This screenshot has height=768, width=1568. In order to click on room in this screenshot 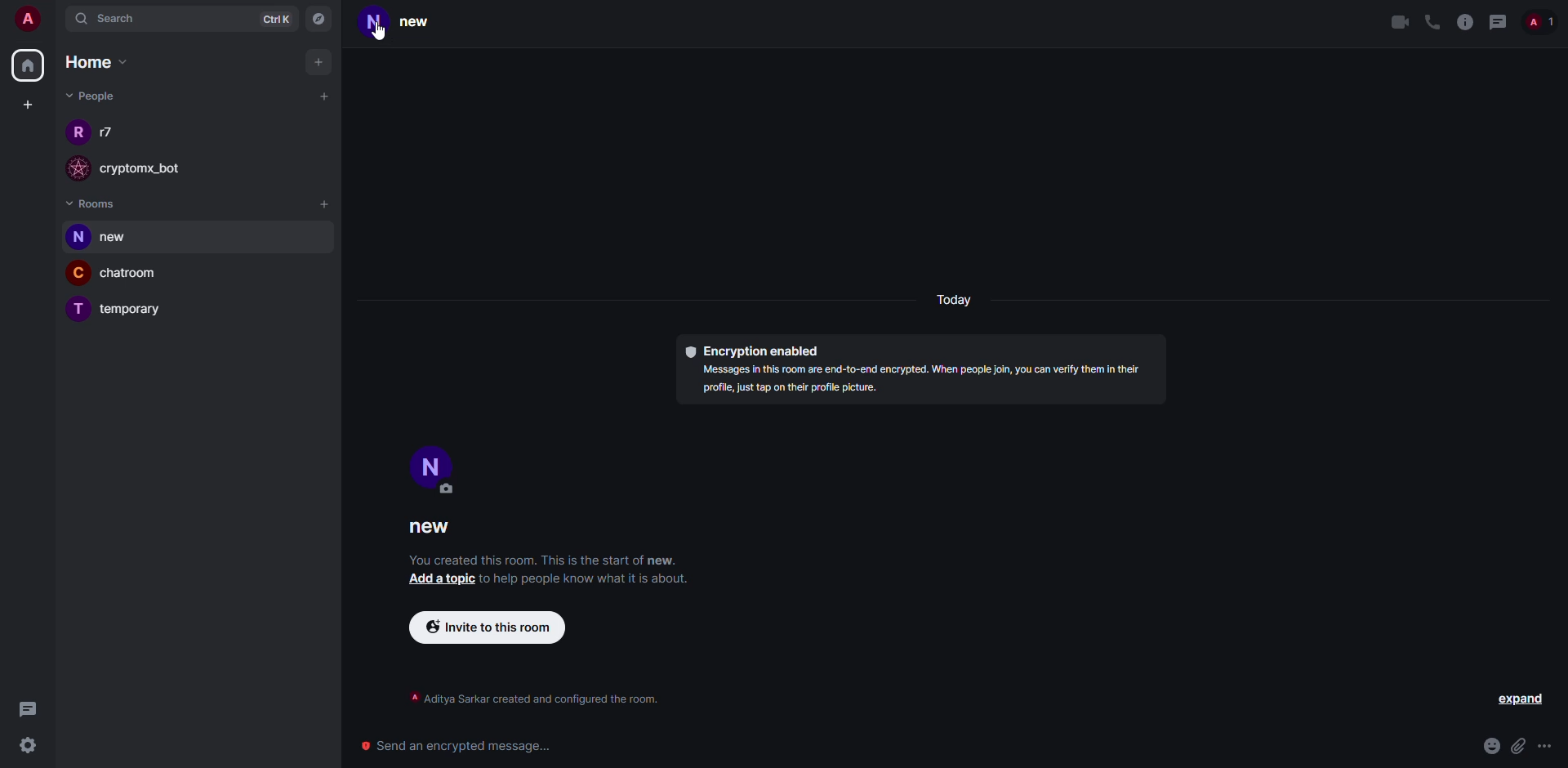, I will do `click(136, 310)`.